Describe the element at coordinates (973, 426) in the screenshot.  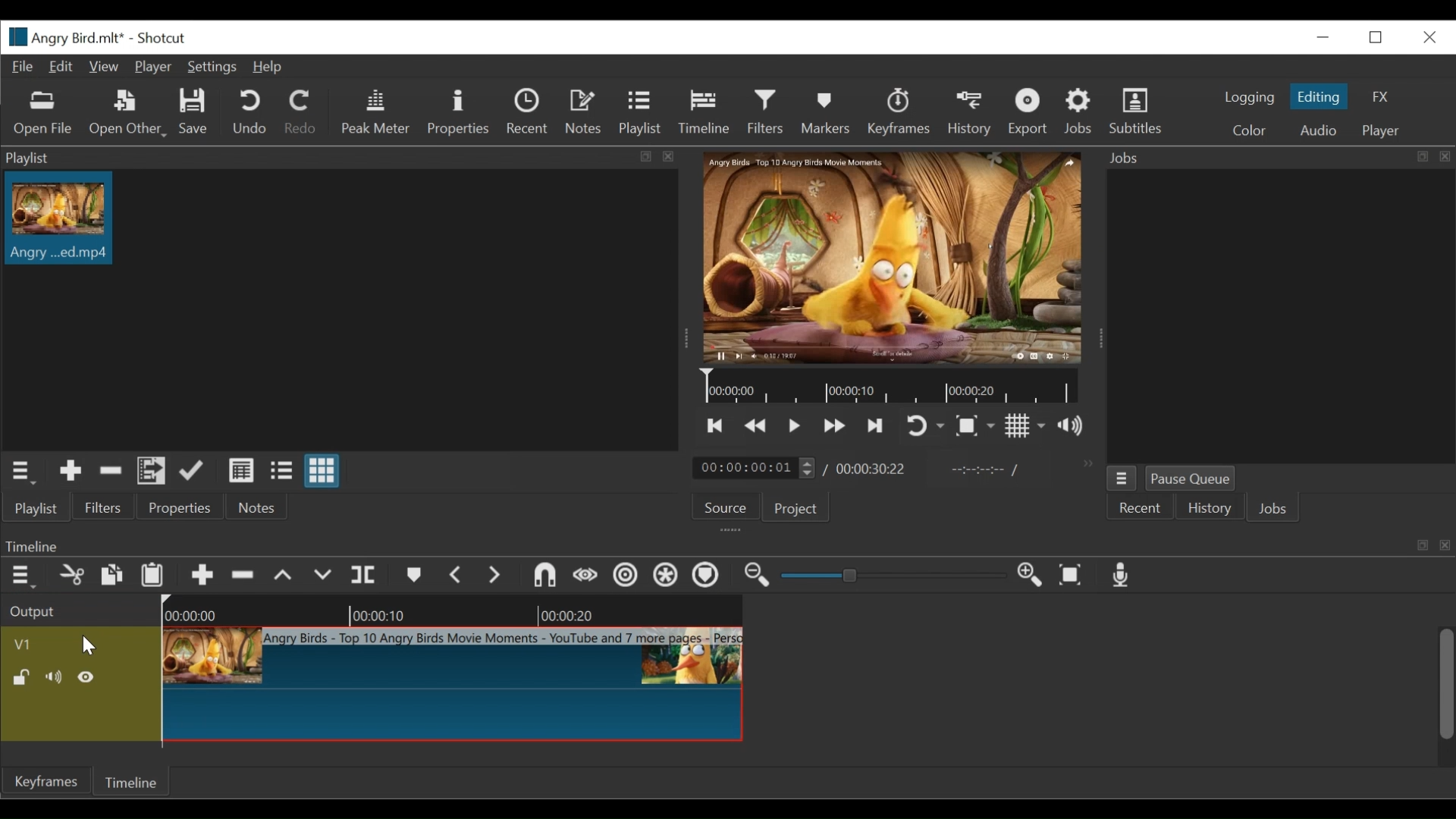
I see `Toggle Zoom` at that location.